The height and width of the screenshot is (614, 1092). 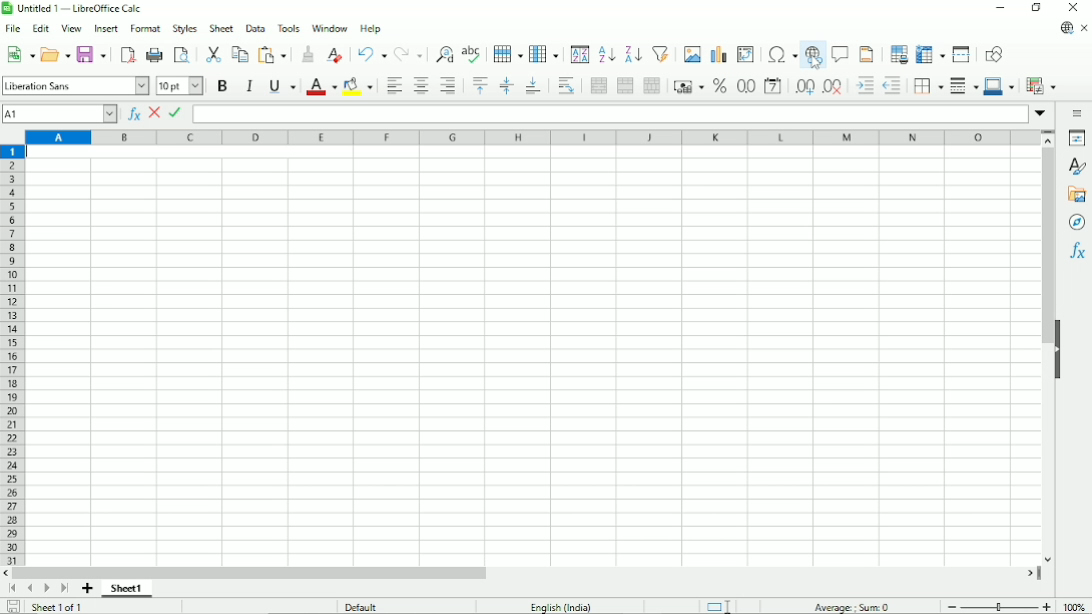 What do you see at coordinates (45, 589) in the screenshot?
I see `Scroll to next page` at bounding box center [45, 589].